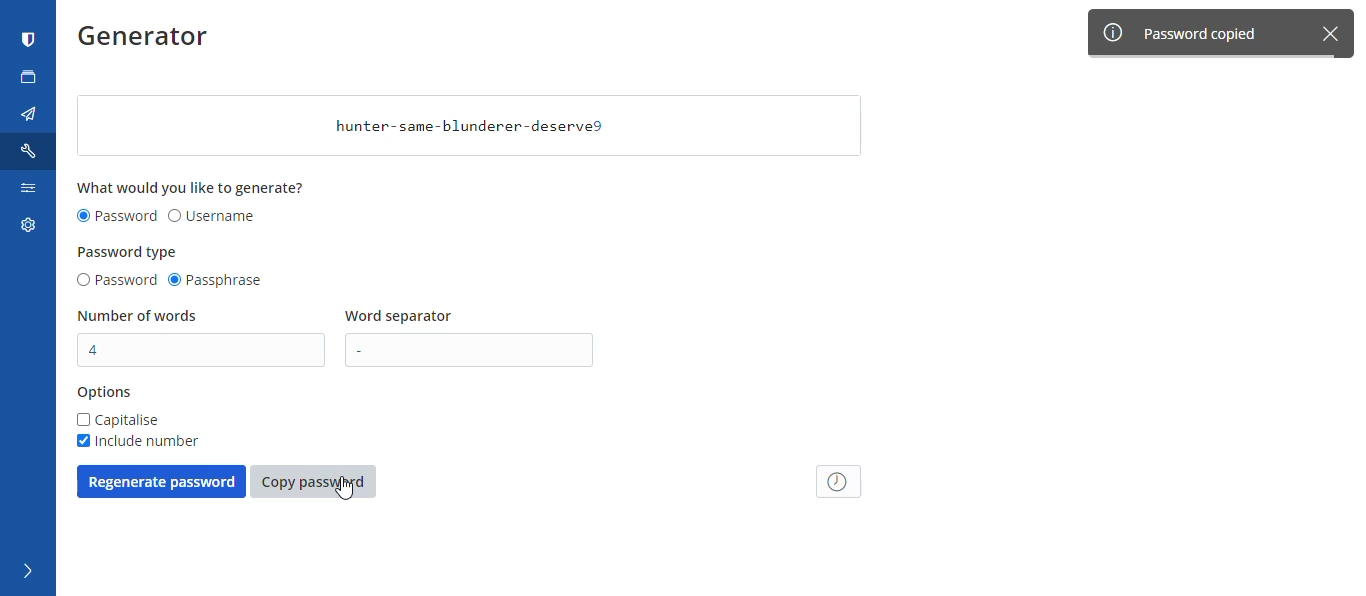 This screenshot has width=1366, height=596. Describe the element at coordinates (139, 316) in the screenshot. I see `number of words` at that location.